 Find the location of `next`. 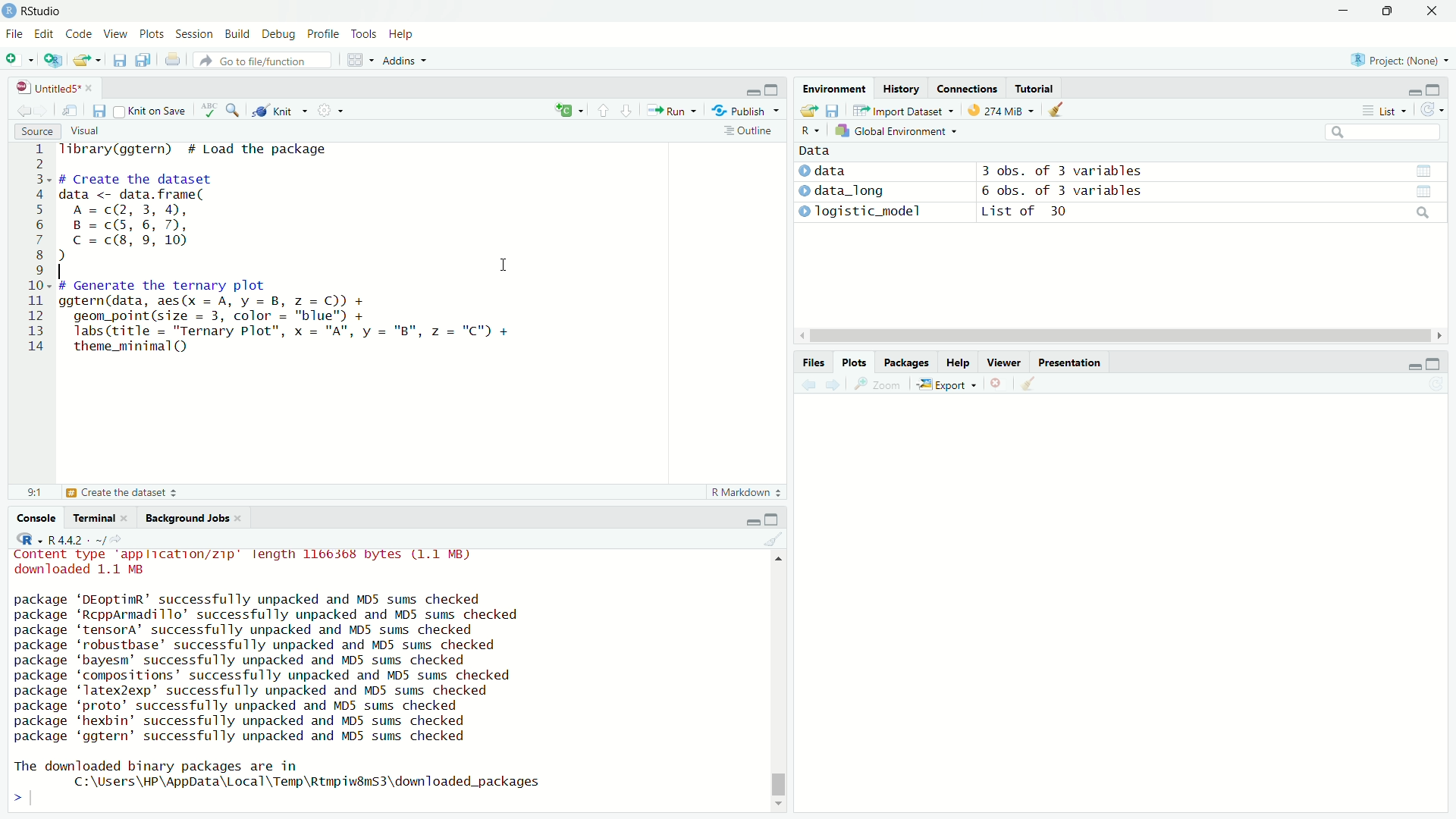

next is located at coordinates (839, 385).